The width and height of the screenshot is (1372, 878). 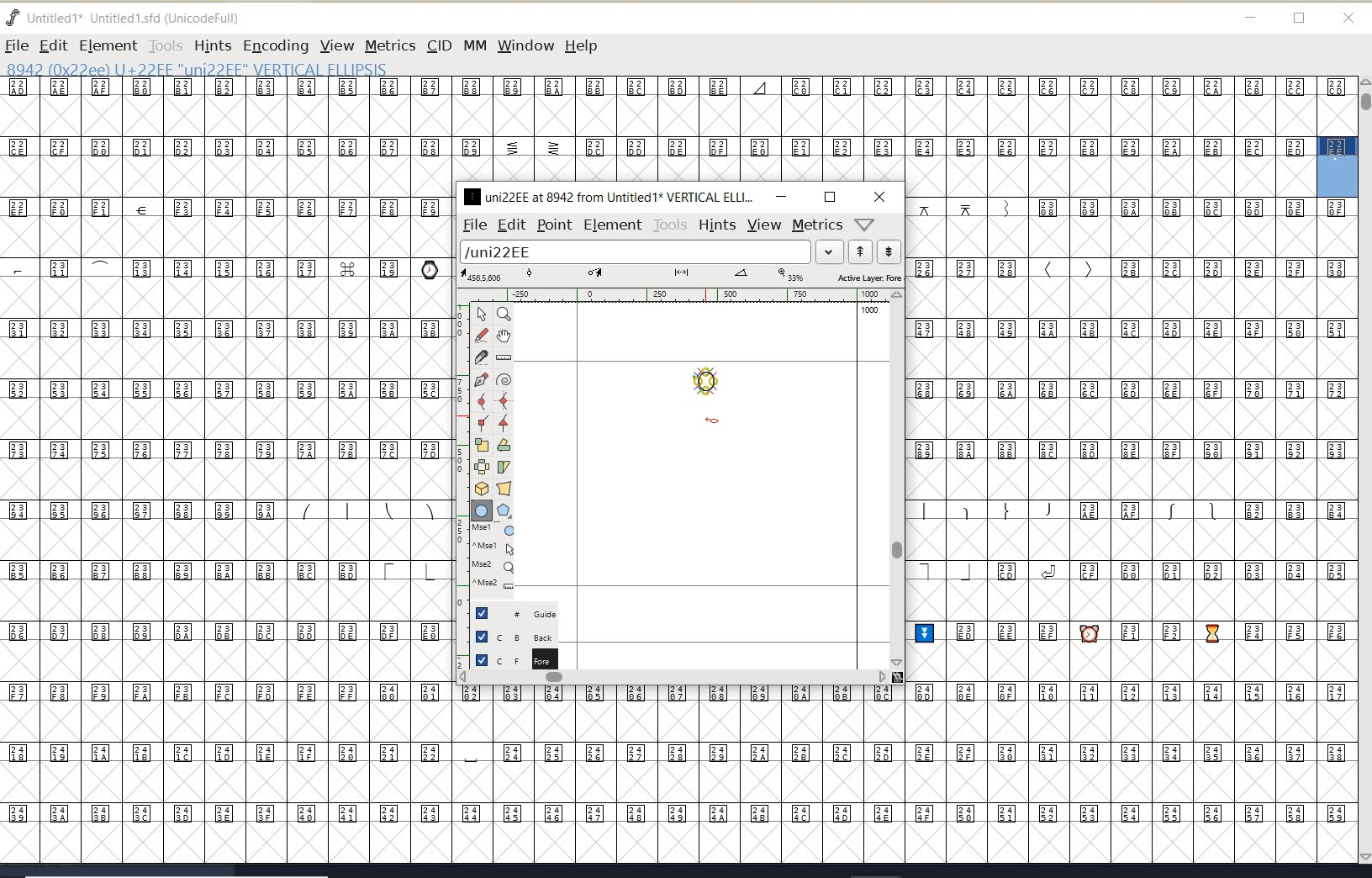 What do you see at coordinates (495, 557) in the screenshot?
I see `cursor events on the open new outline window` at bounding box center [495, 557].